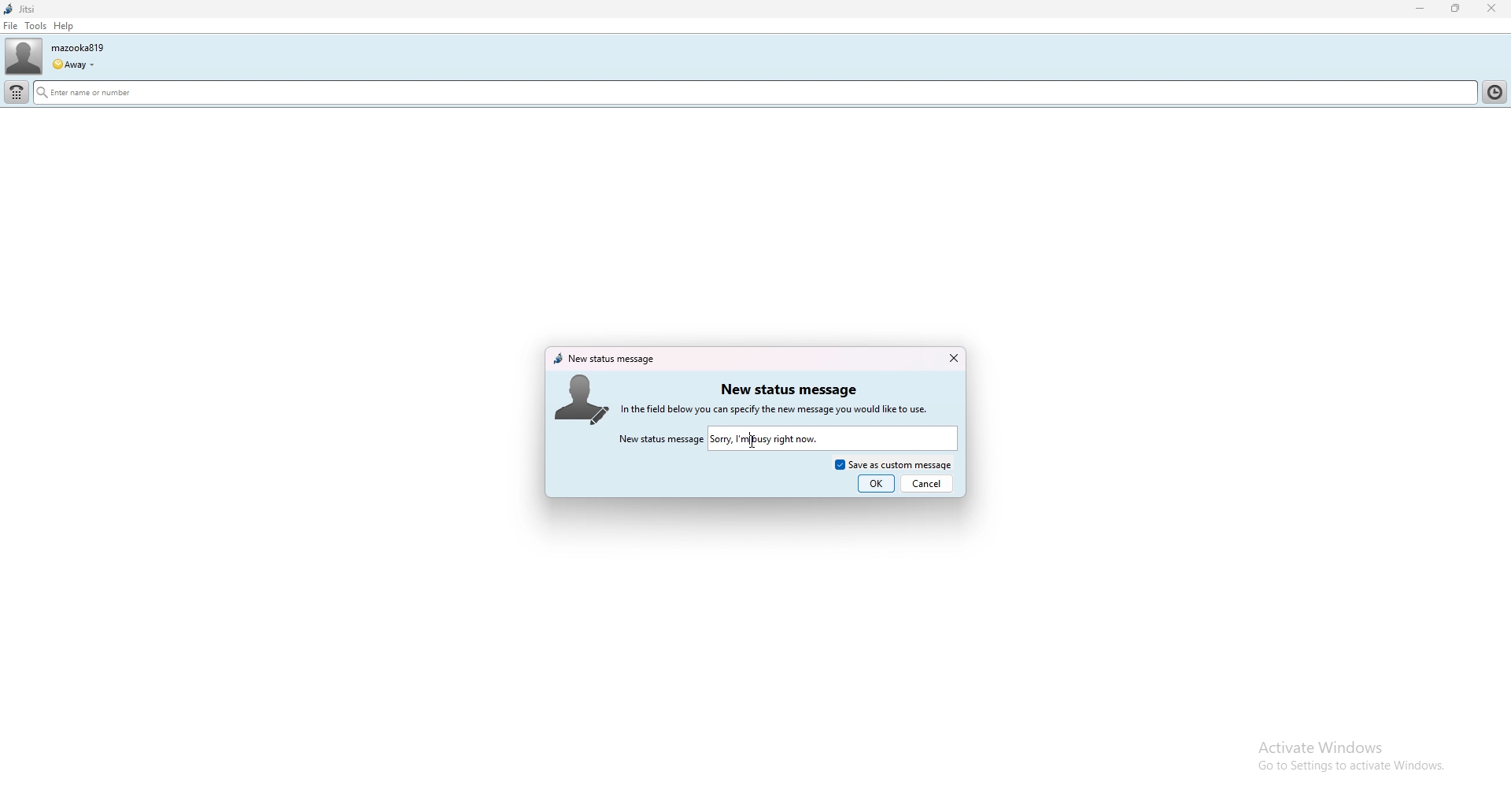 This screenshot has width=1511, height=812. What do you see at coordinates (605, 359) in the screenshot?
I see `new status message` at bounding box center [605, 359].